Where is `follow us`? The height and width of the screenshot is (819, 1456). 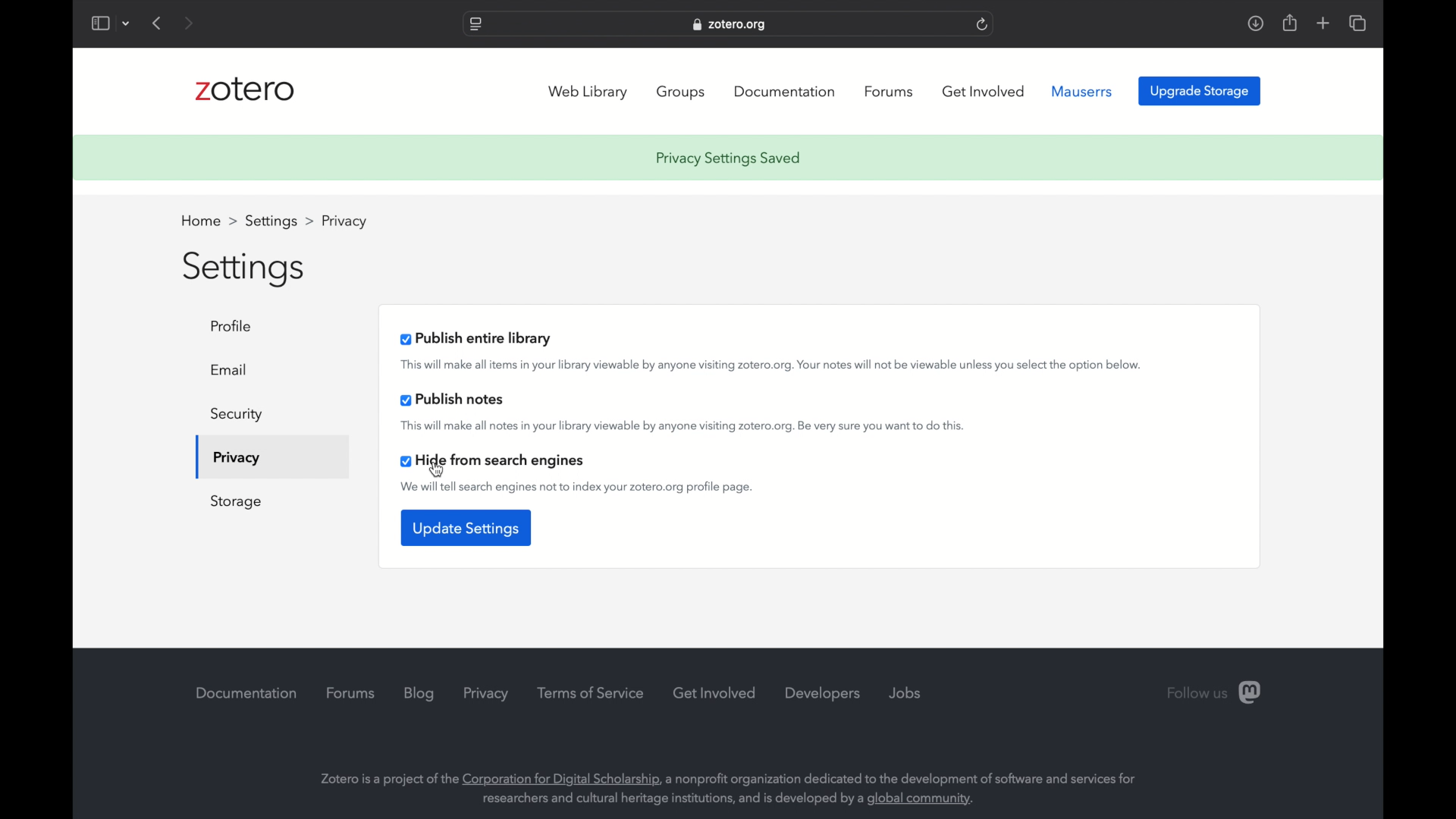
follow us is located at coordinates (1216, 692).